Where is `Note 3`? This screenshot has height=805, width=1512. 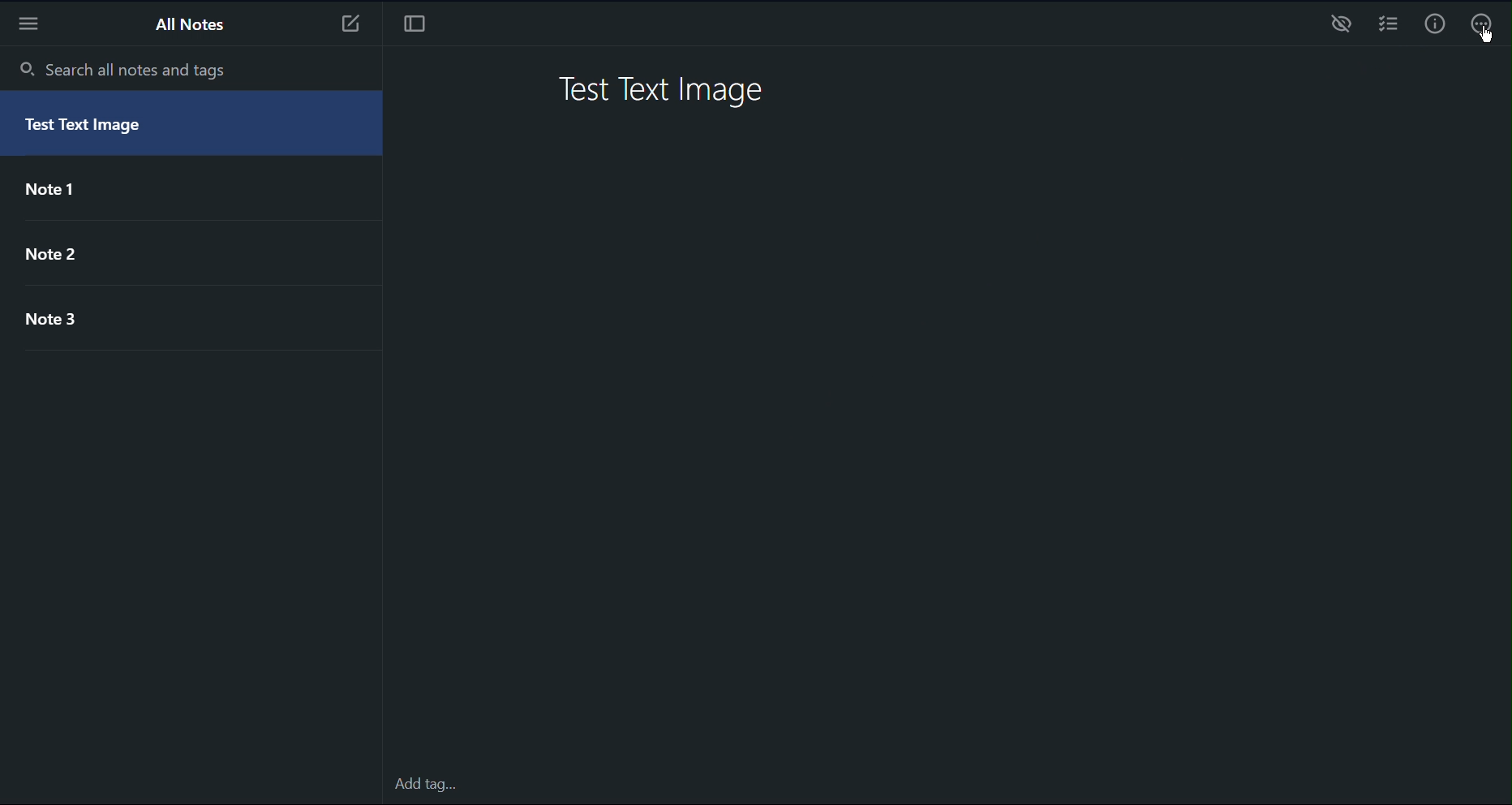
Note 3 is located at coordinates (58, 321).